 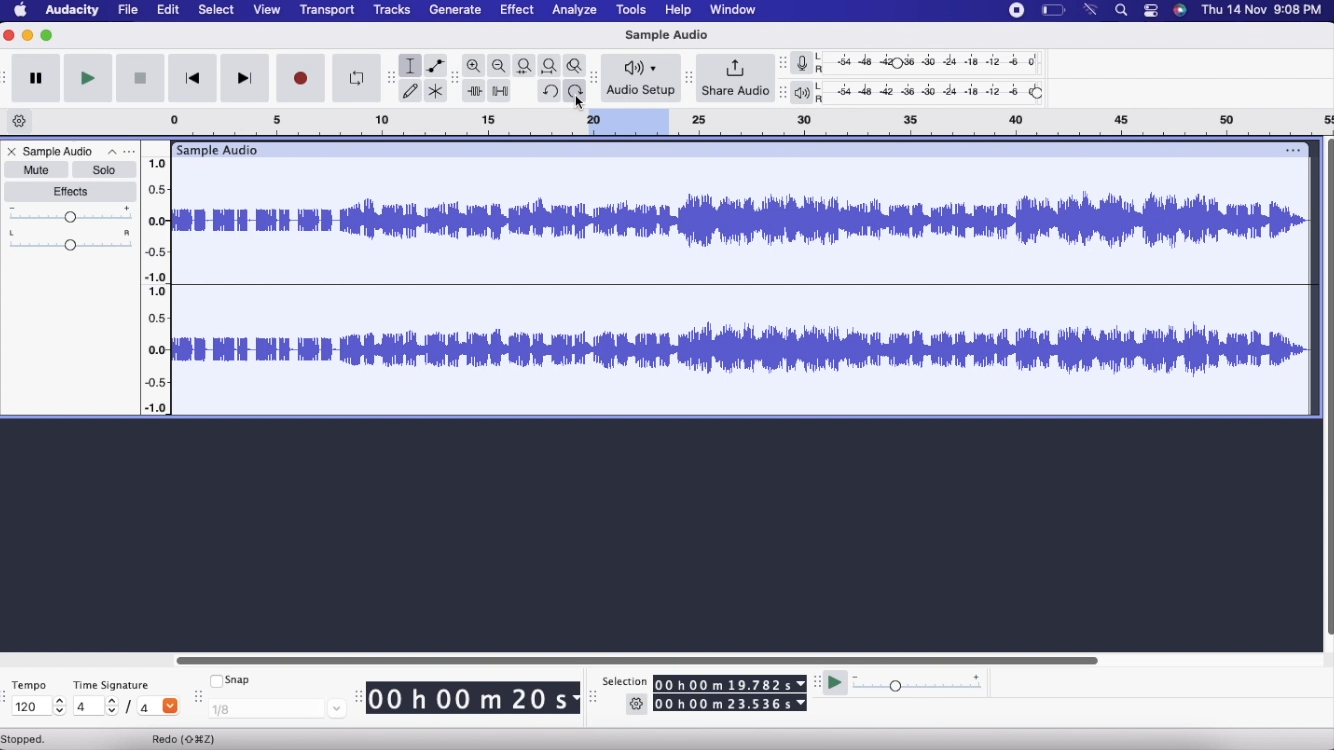 I want to click on Close, so click(x=13, y=153).